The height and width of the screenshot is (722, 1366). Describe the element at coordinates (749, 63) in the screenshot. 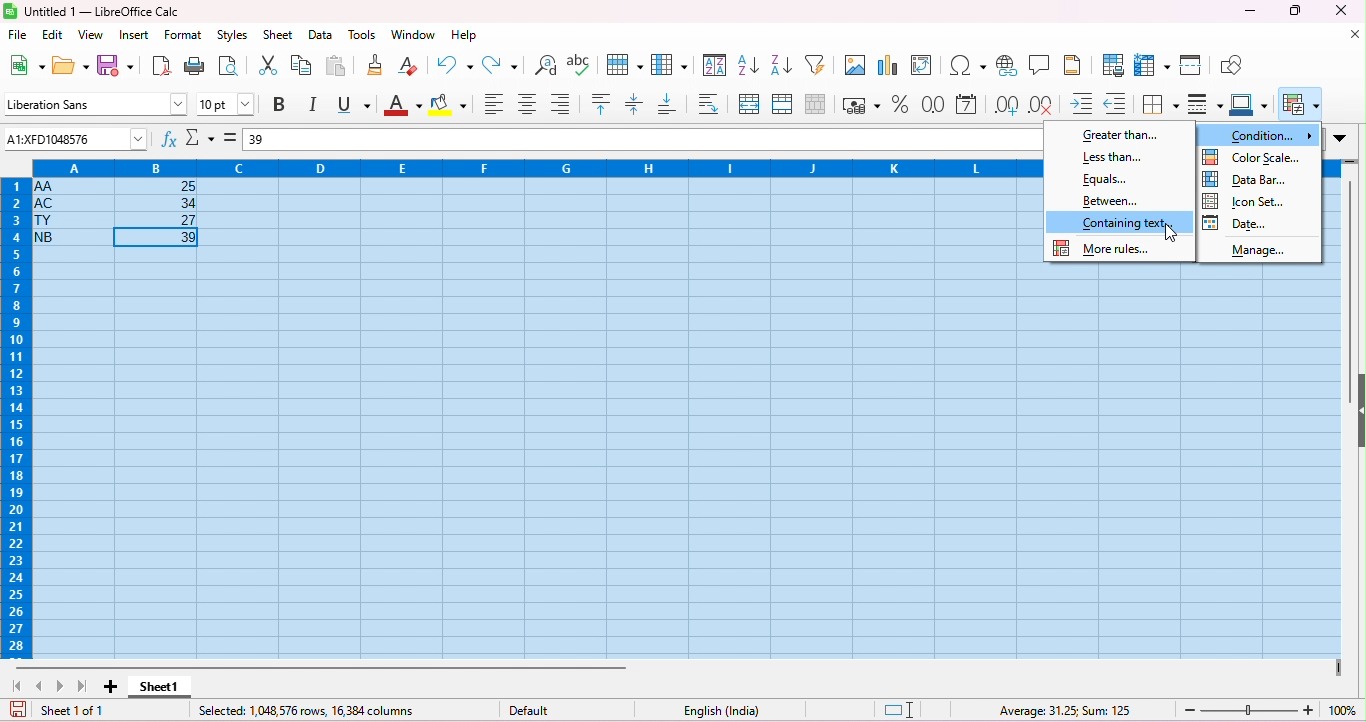

I see `sort ascending` at that location.